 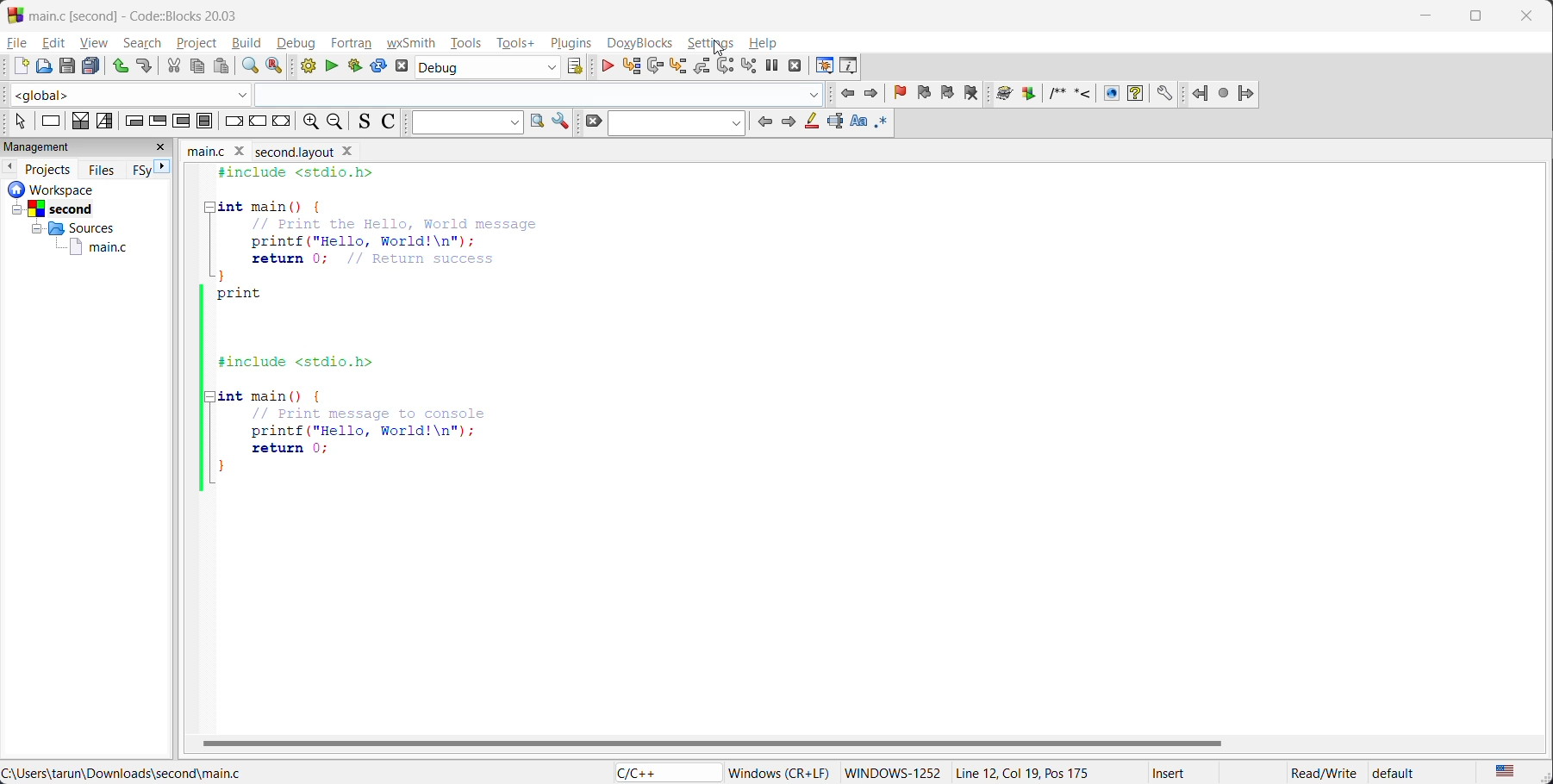 What do you see at coordinates (9, 168) in the screenshot?
I see `previous` at bounding box center [9, 168].